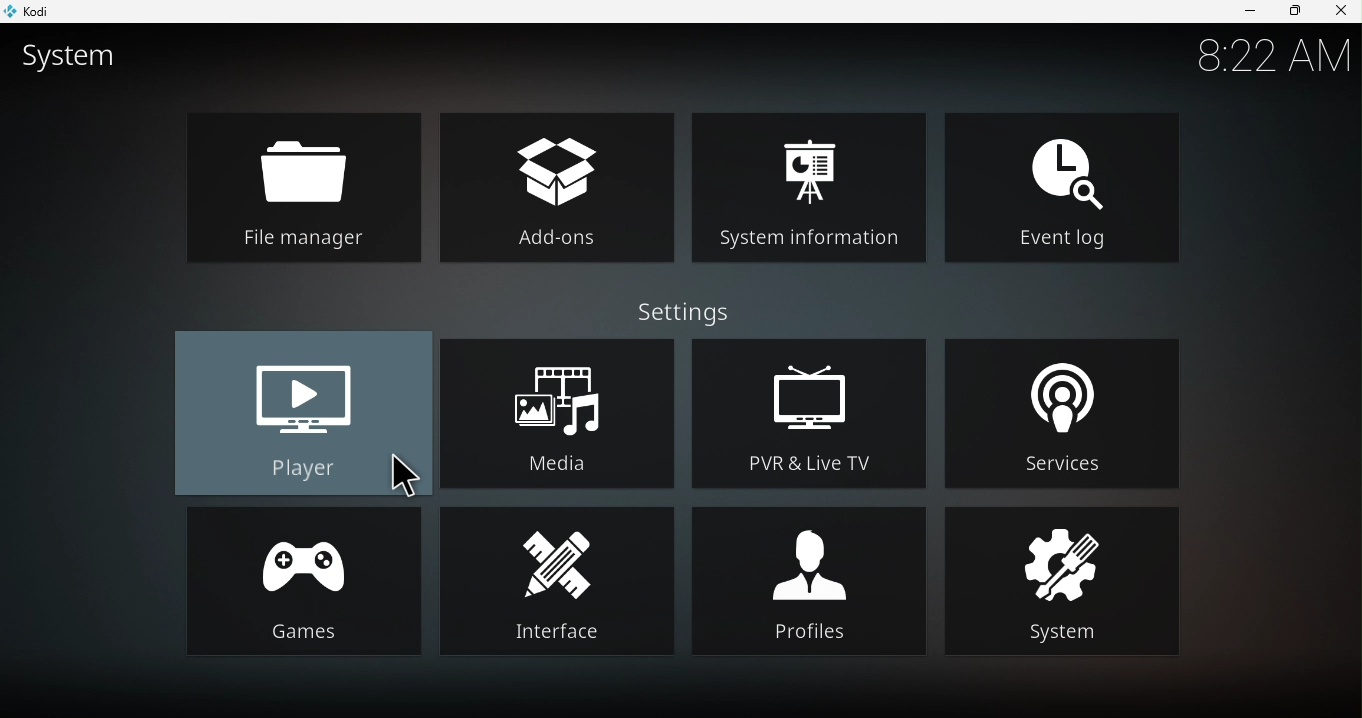  What do you see at coordinates (816, 182) in the screenshot?
I see `System information` at bounding box center [816, 182].